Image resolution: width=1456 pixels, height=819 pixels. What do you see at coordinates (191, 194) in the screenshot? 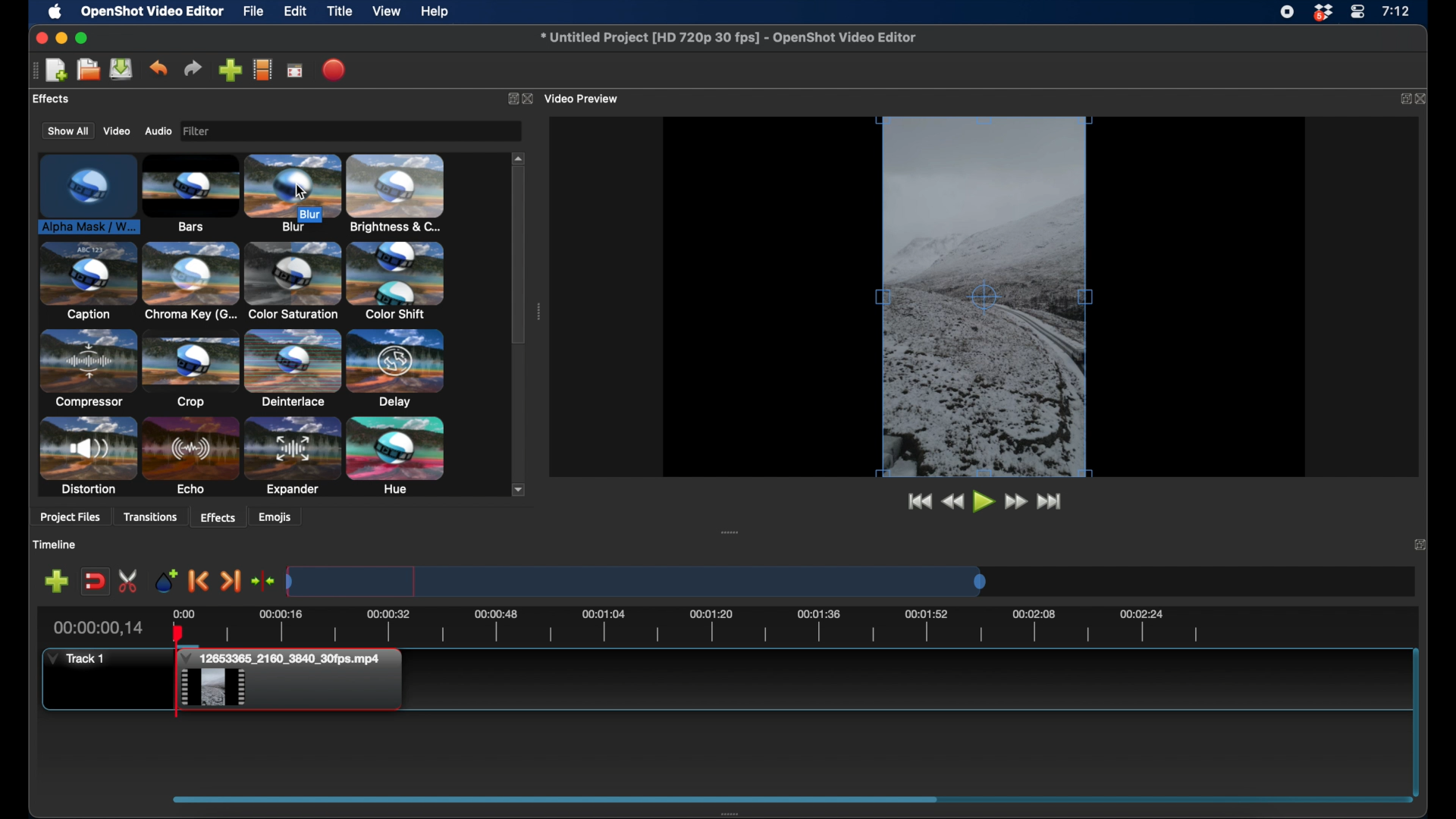
I see `bars` at bounding box center [191, 194].